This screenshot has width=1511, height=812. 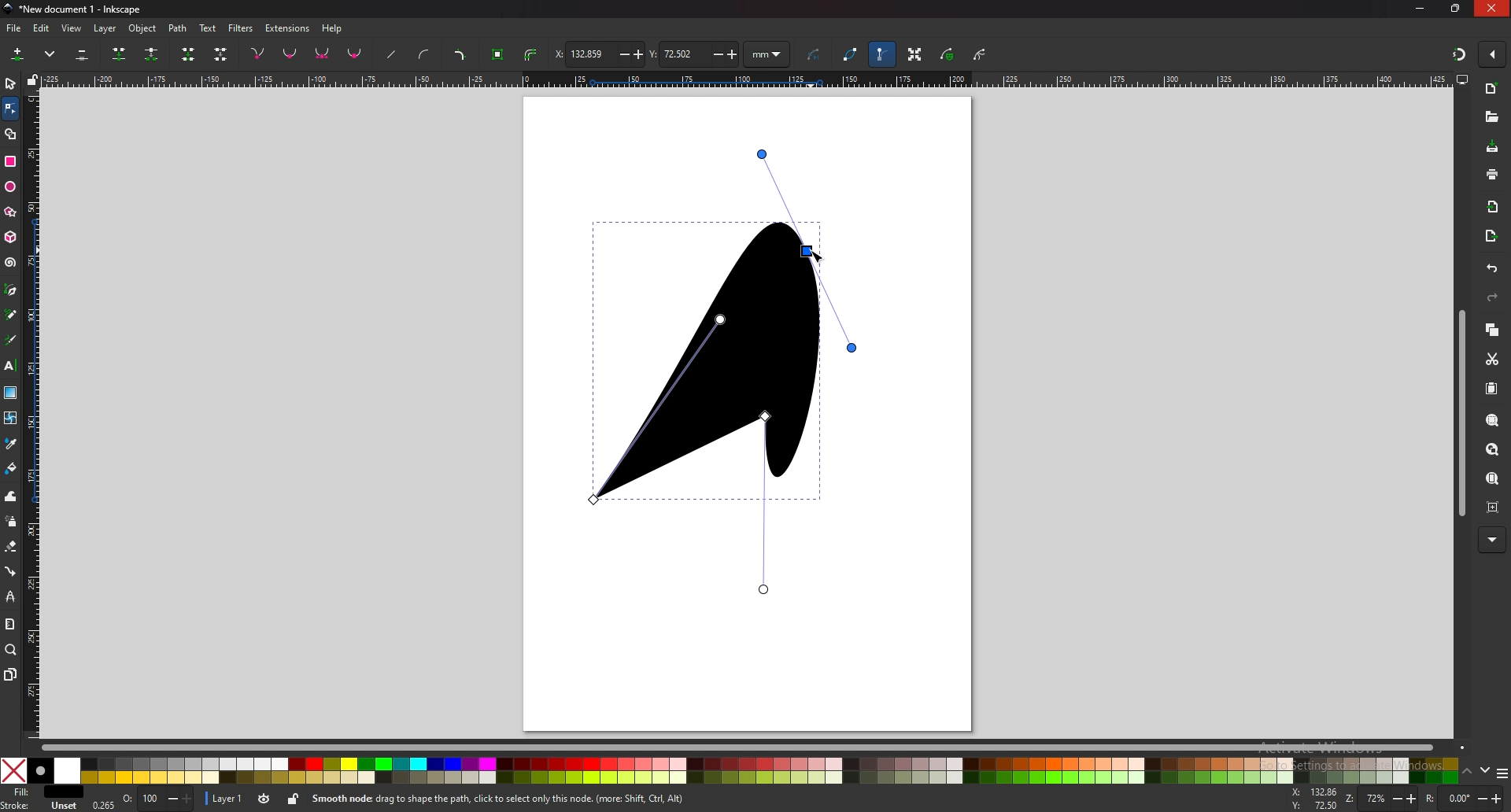 I want to click on show clipping path, so click(x=980, y=54).